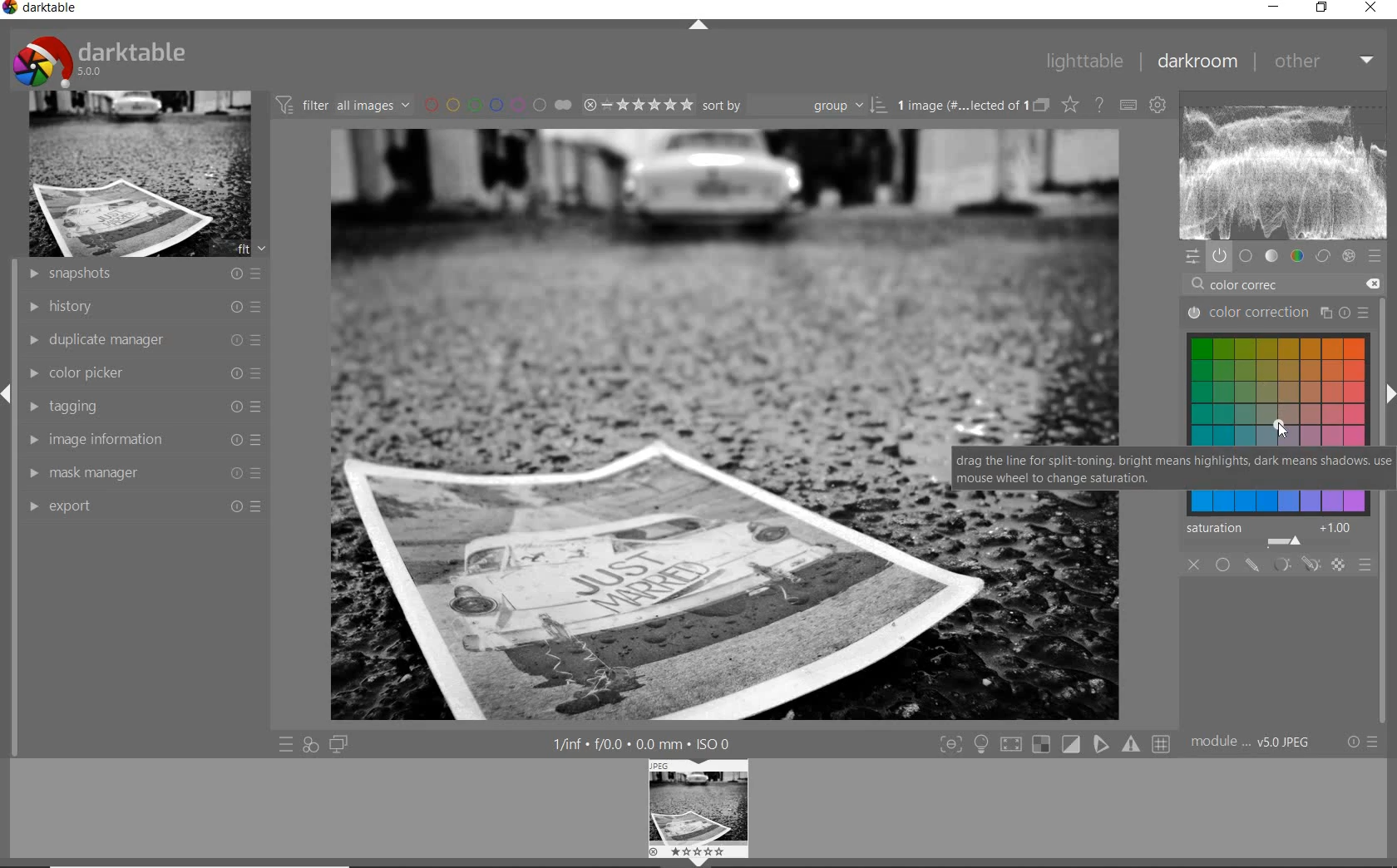 The width and height of the screenshot is (1397, 868). What do you see at coordinates (1274, 6) in the screenshot?
I see `minimize` at bounding box center [1274, 6].